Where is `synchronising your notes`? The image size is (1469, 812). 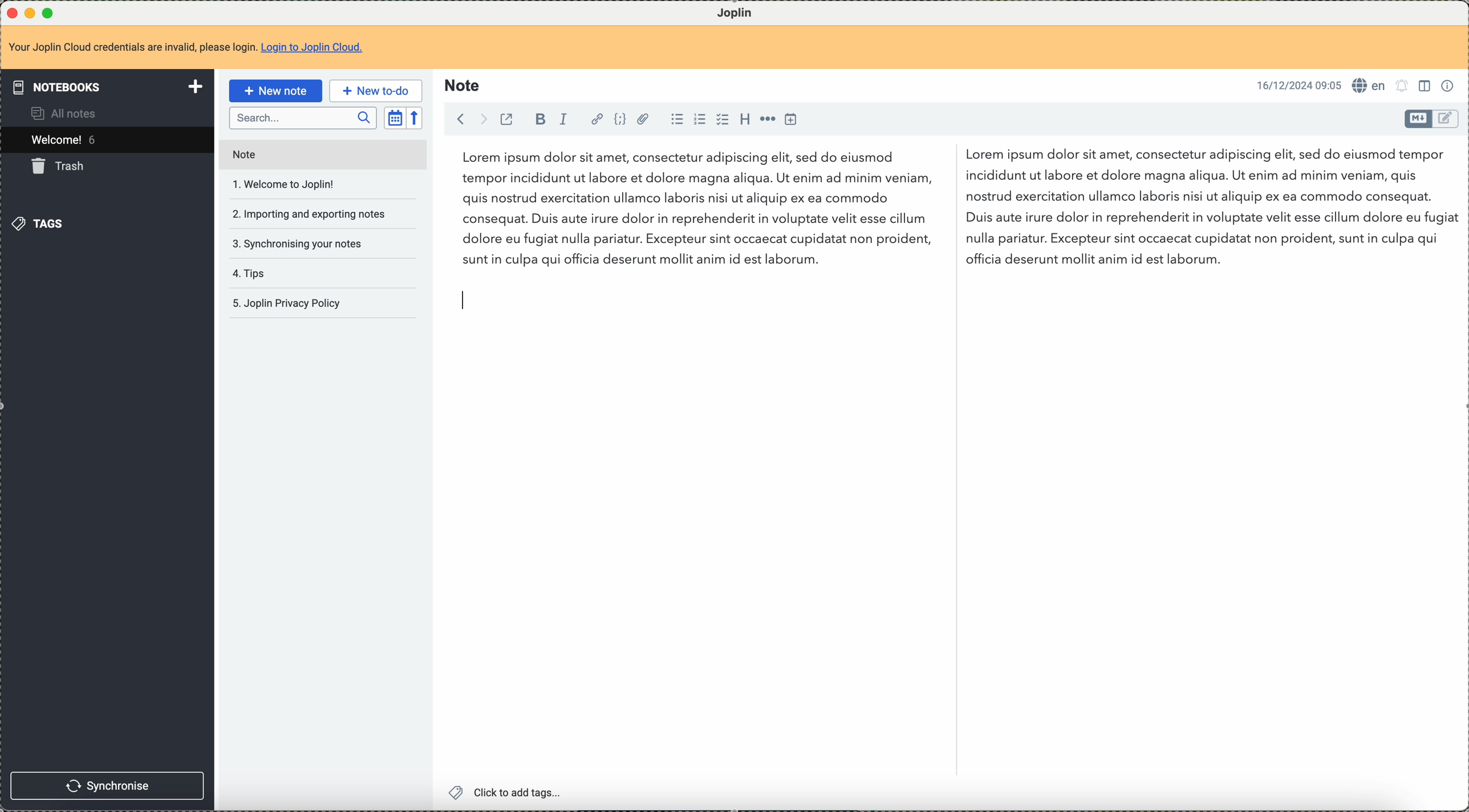 synchronising your notes is located at coordinates (298, 245).